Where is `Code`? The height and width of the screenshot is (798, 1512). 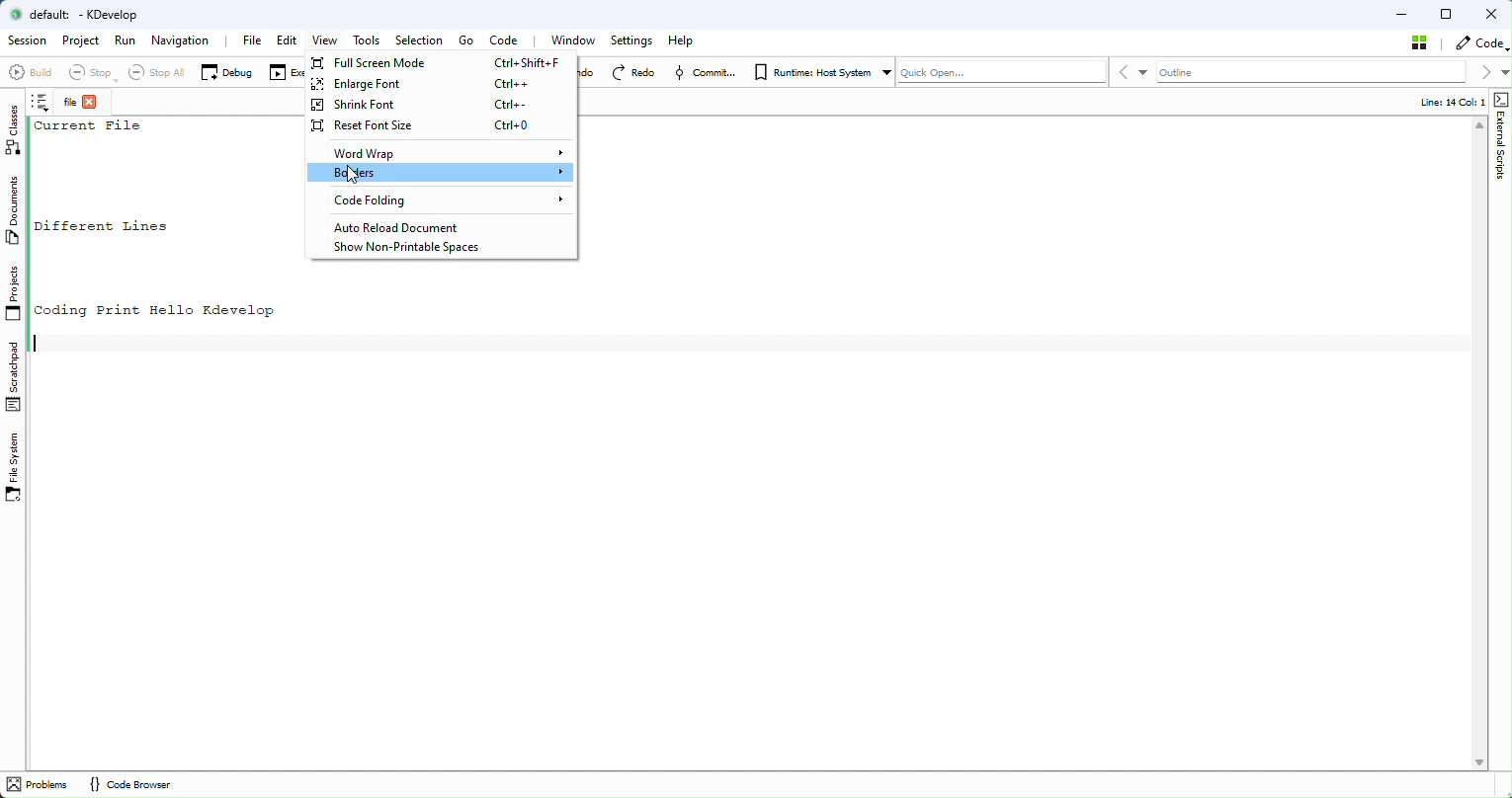
Code is located at coordinates (1479, 42).